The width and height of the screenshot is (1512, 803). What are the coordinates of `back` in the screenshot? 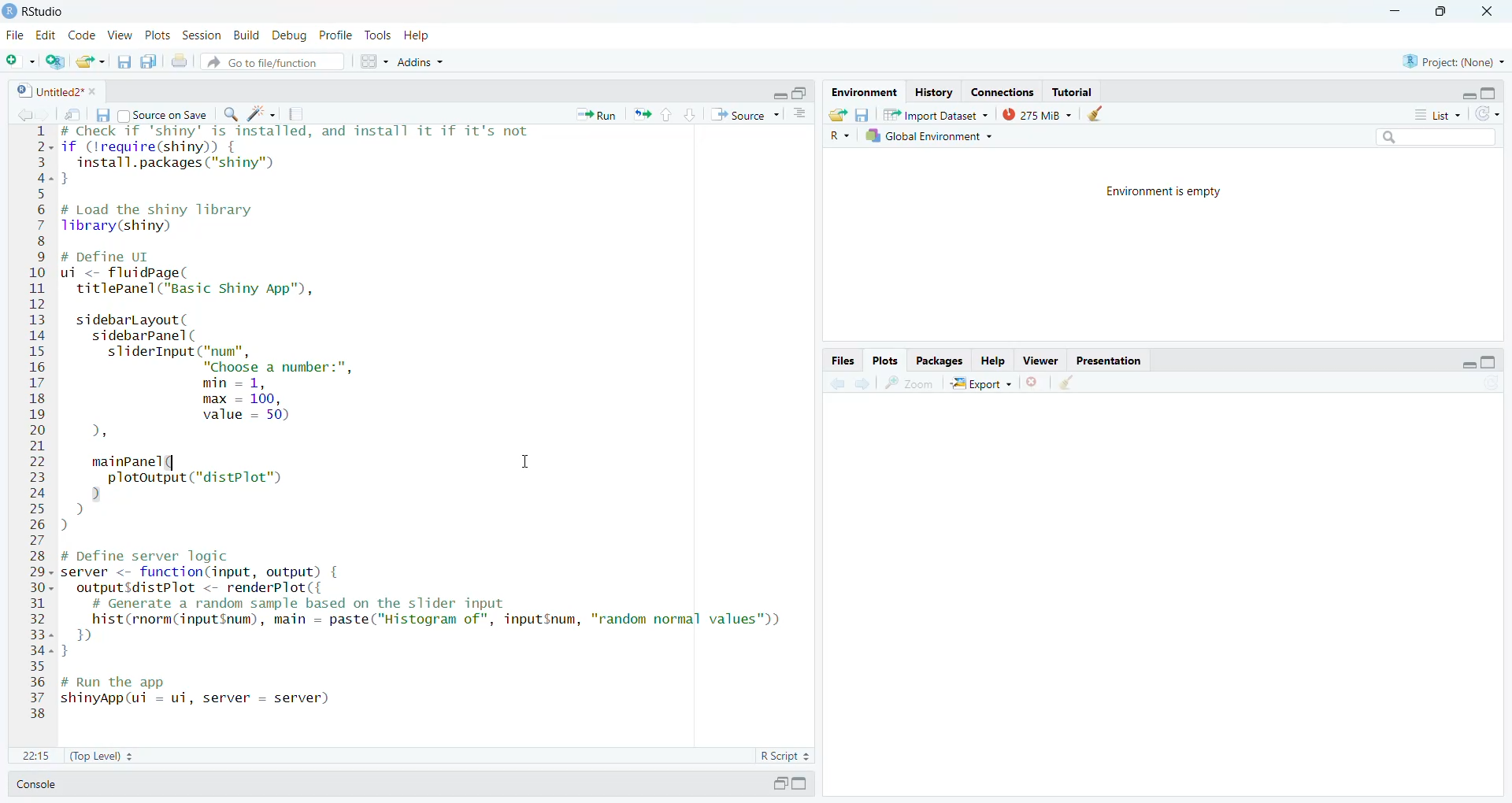 It's located at (22, 115).